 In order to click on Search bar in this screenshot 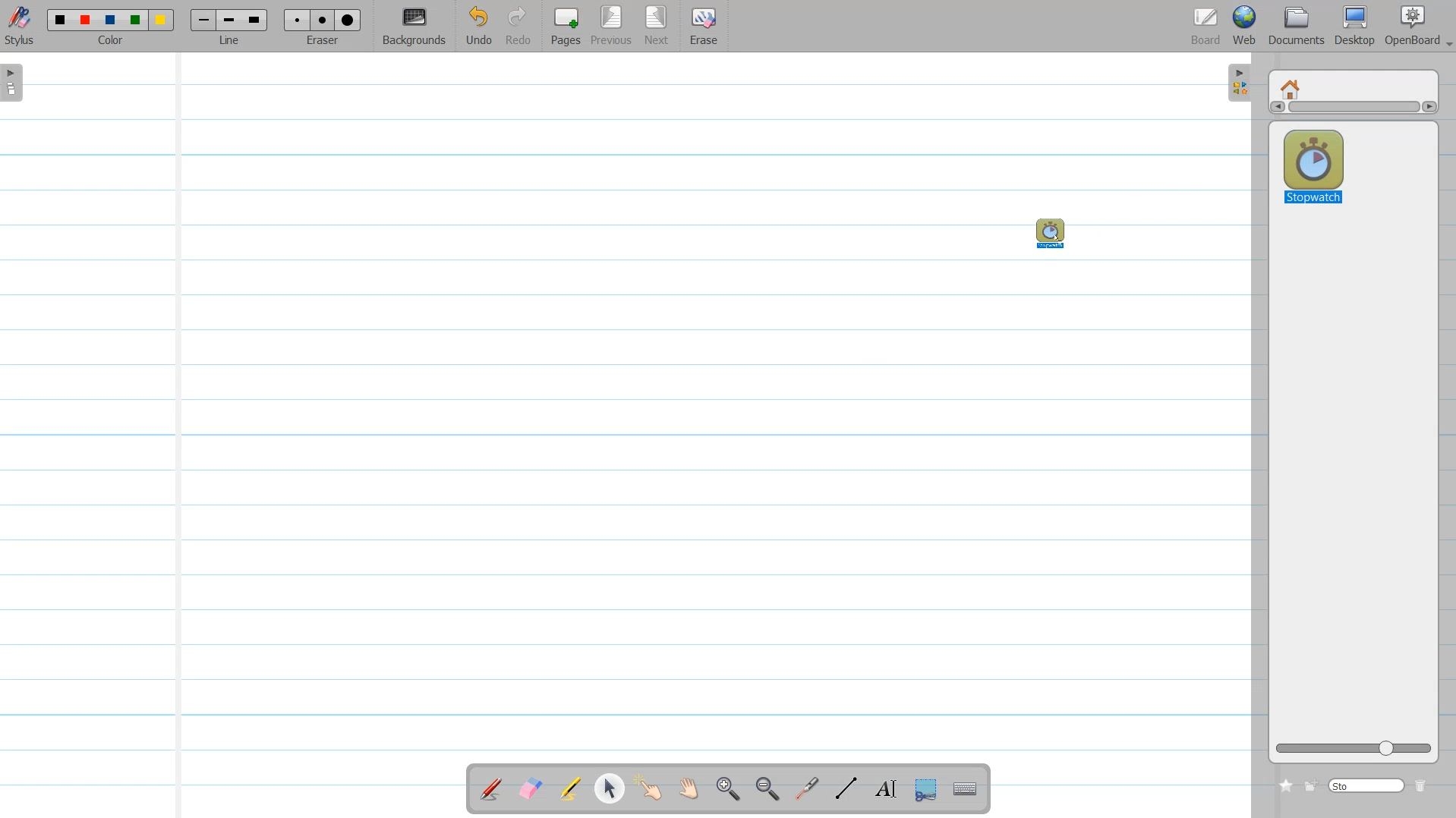, I will do `click(1367, 785)`.